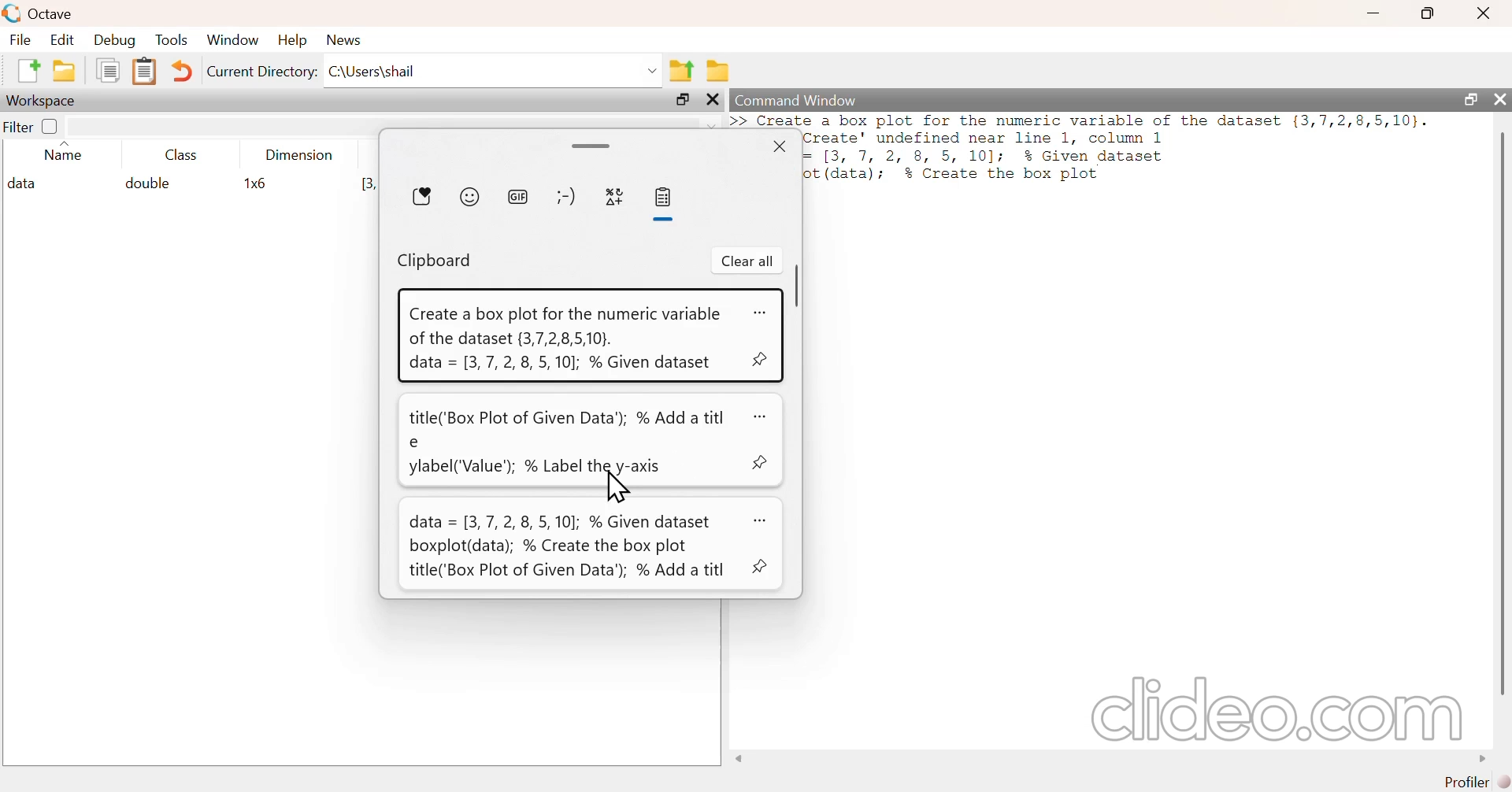 The width and height of the screenshot is (1512, 792). I want to click on scrollbar, so click(797, 289).